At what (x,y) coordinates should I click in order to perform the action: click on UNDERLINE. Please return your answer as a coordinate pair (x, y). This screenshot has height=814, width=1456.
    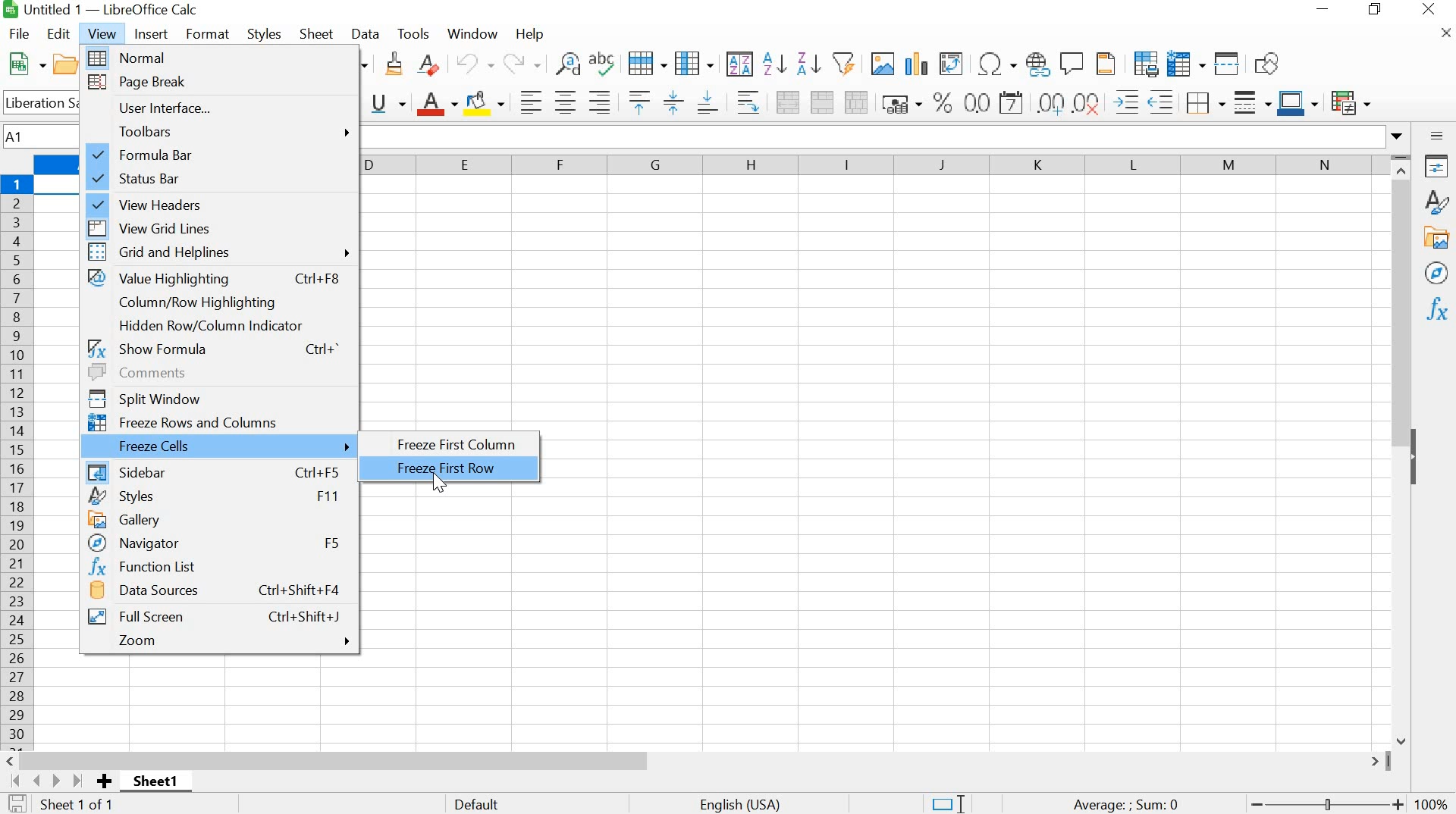
    Looking at the image, I should click on (388, 103).